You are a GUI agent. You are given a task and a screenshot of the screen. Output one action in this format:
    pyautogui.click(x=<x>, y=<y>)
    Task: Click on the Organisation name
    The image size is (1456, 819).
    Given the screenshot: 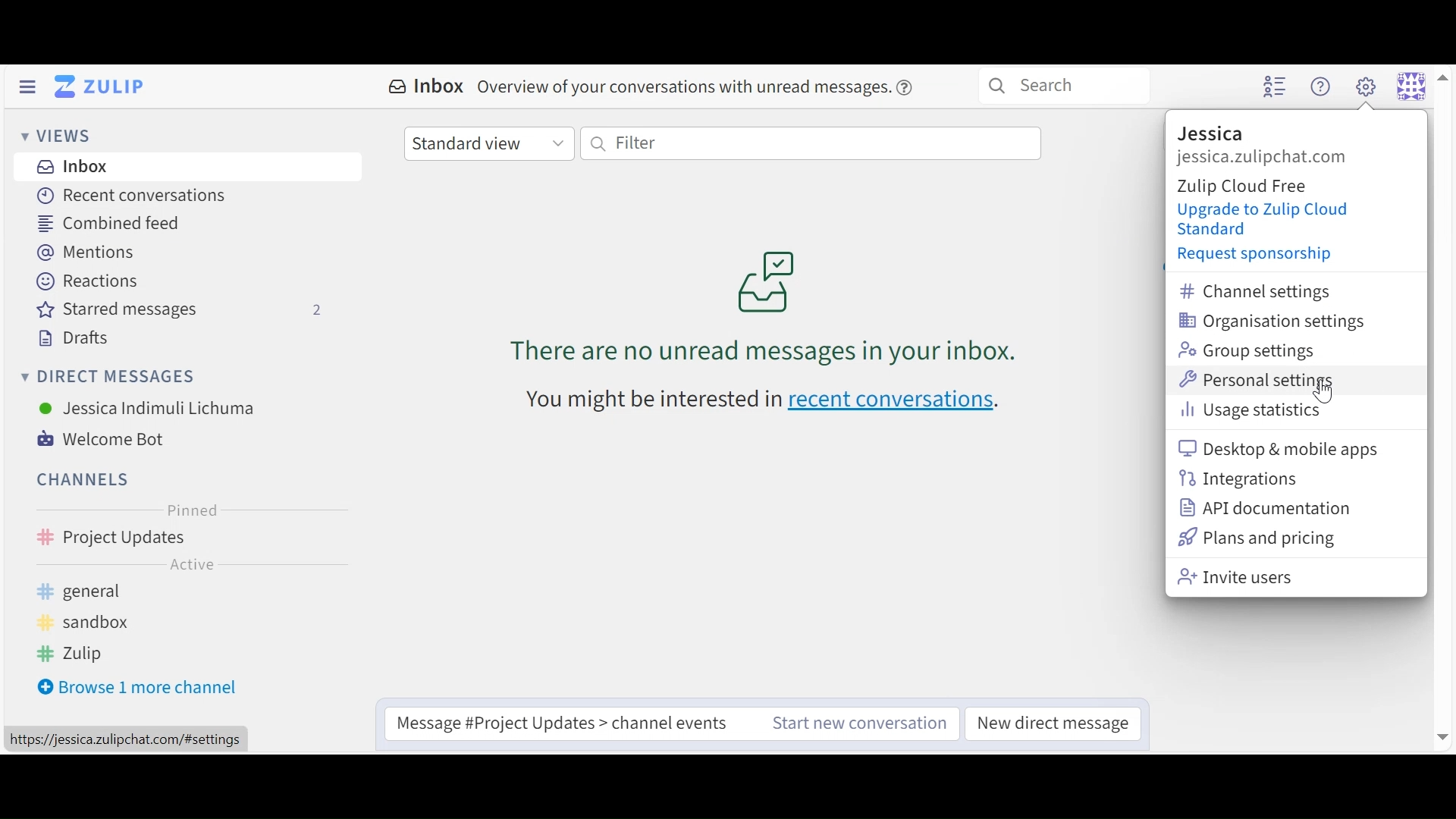 What is the action you would take?
    pyautogui.click(x=1210, y=134)
    